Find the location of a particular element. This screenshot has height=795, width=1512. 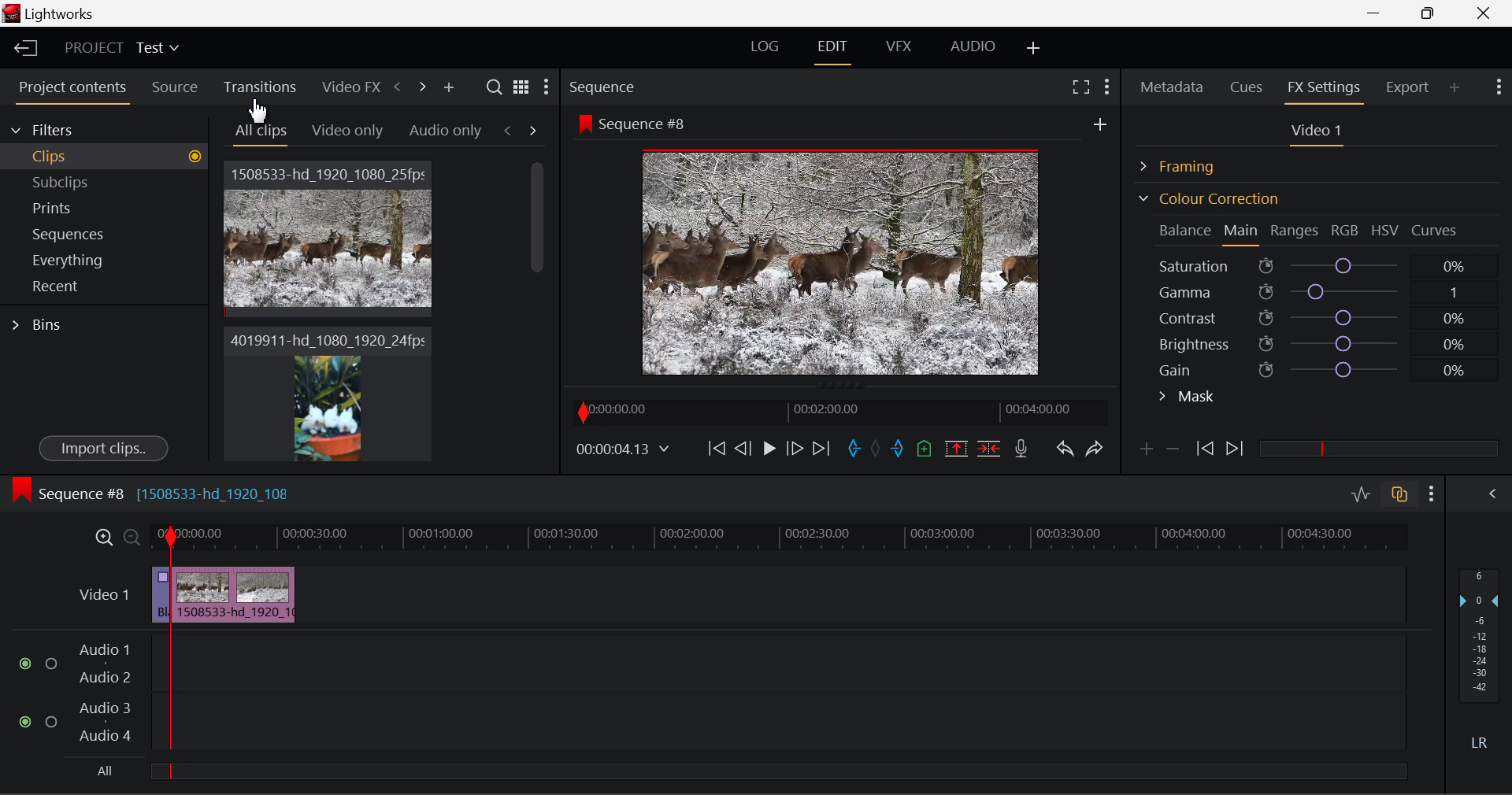

Curves is located at coordinates (1436, 230).